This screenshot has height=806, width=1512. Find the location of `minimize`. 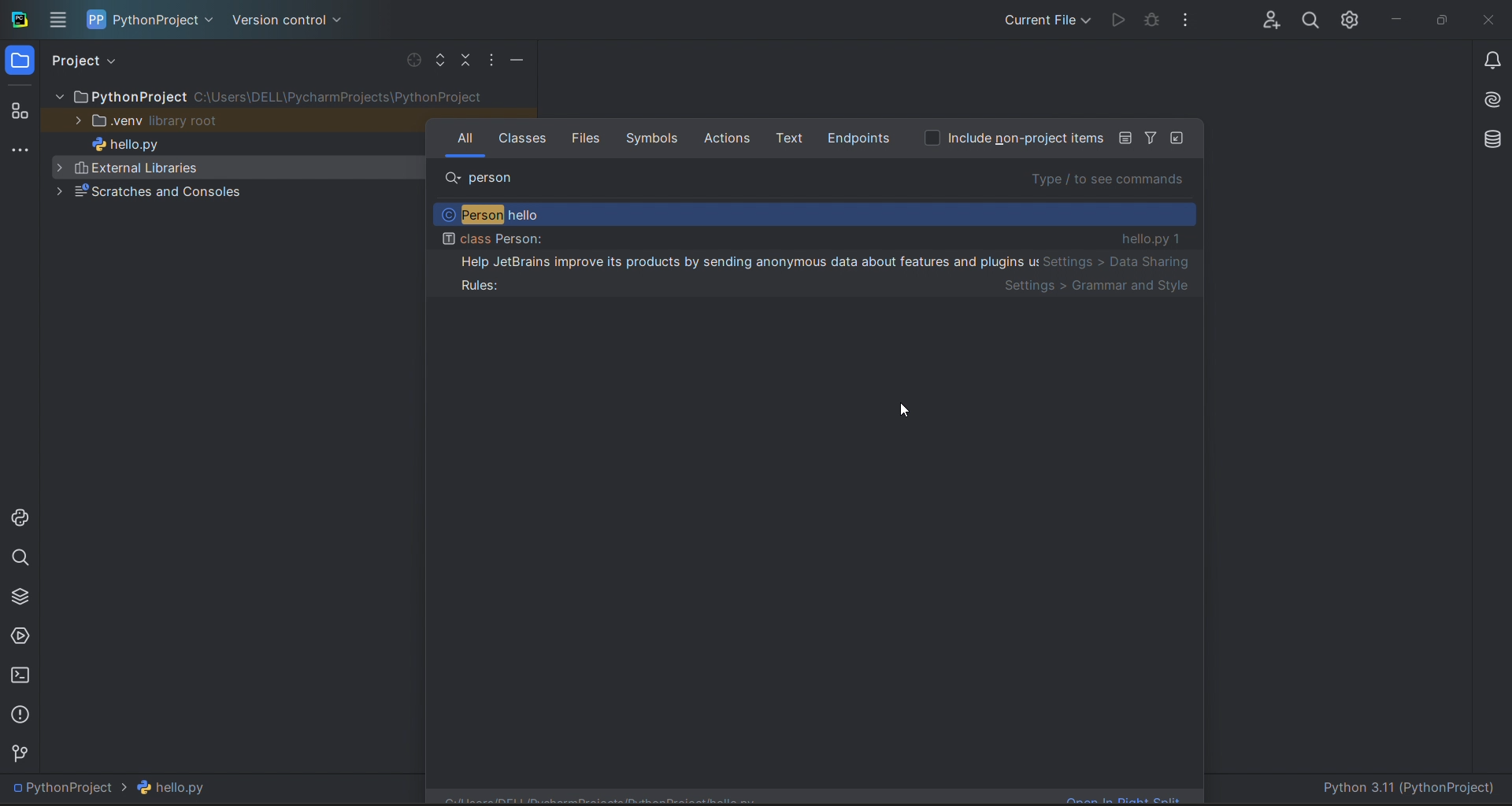

minimize is located at coordinates (517, 59).